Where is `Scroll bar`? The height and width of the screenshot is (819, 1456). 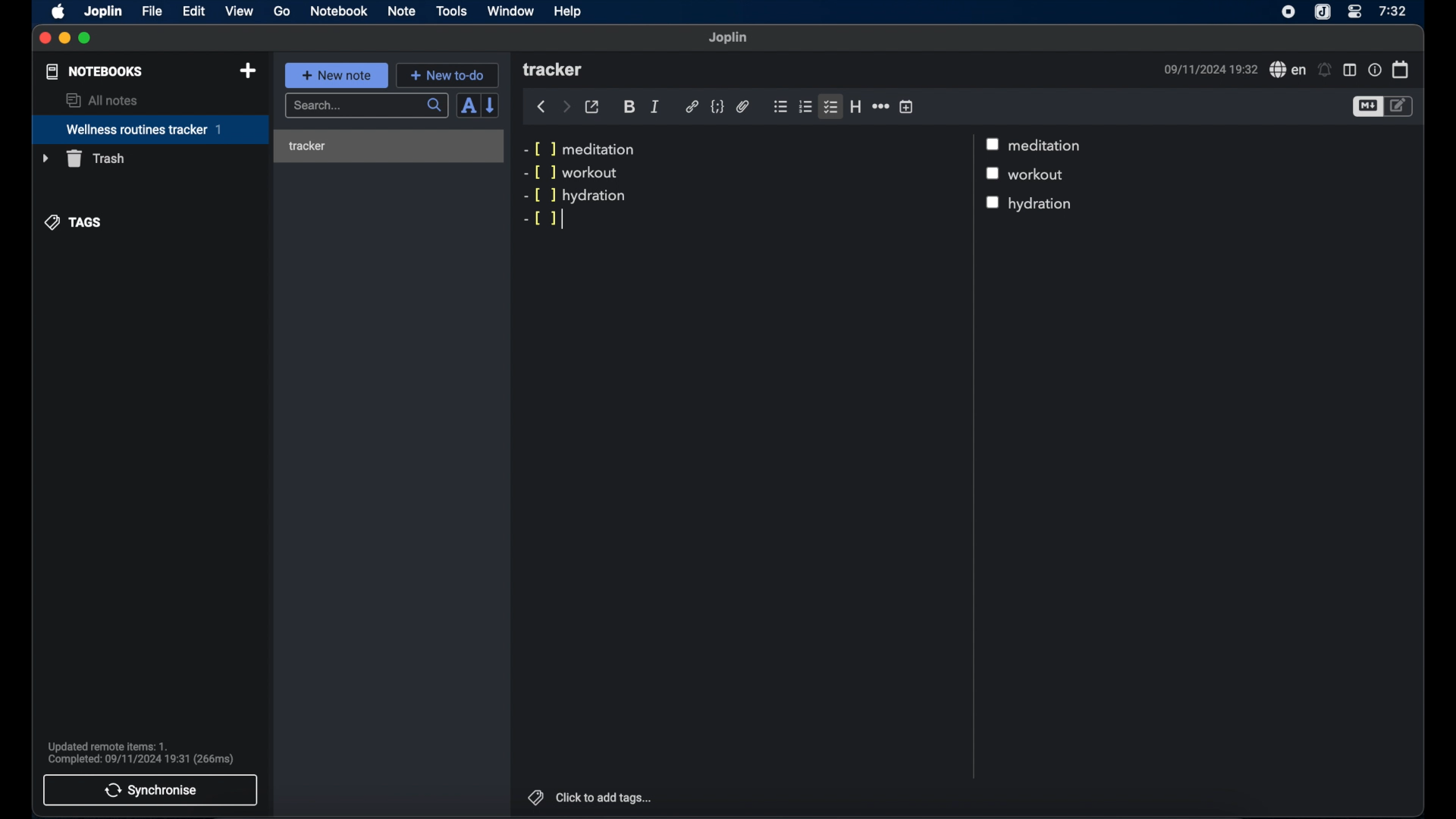
Scroll bar is located at coordinates (971, 457).